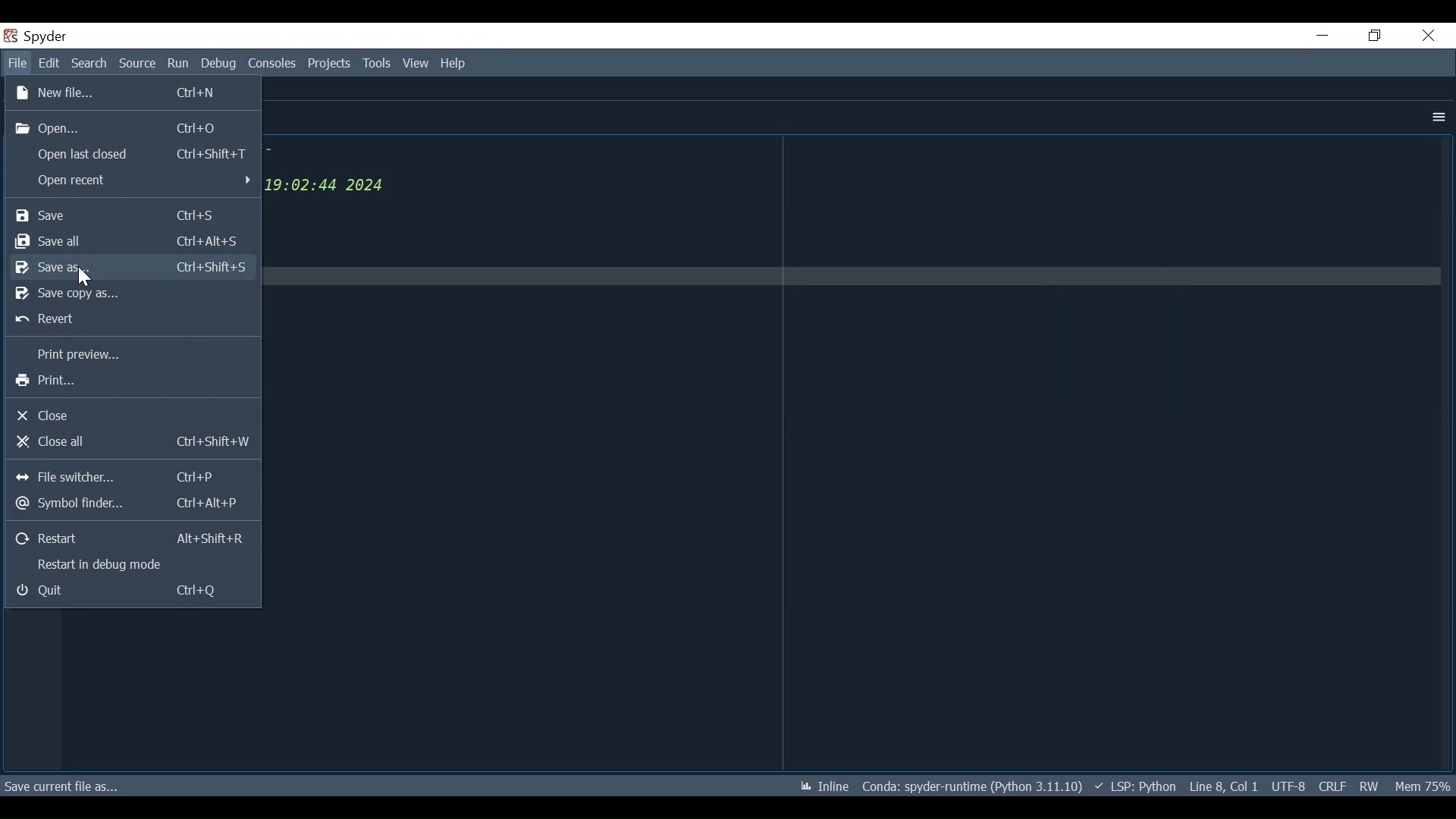  I want to click on Save As, so click(130, 268).